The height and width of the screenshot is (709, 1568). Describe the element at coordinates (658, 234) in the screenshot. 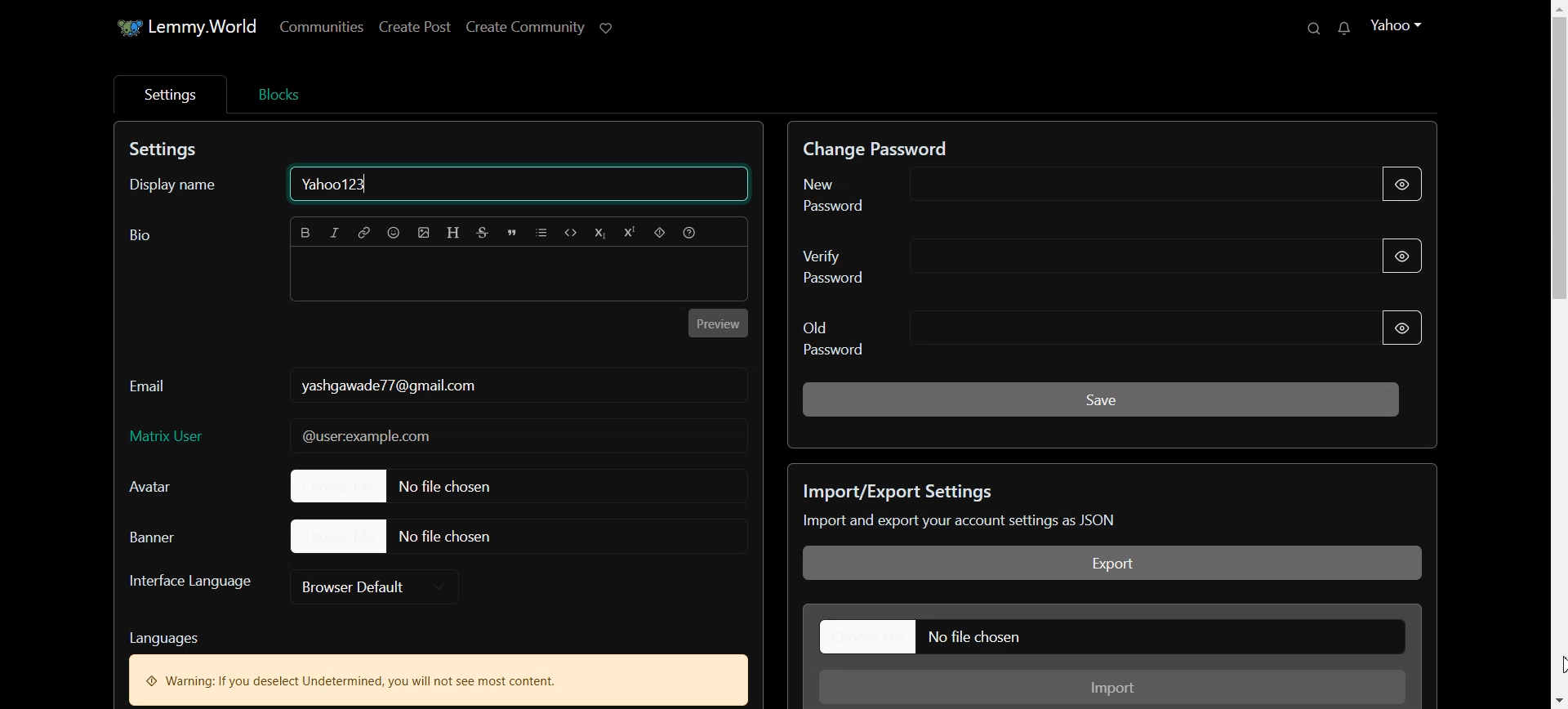

I see `Spoiler` at that location.